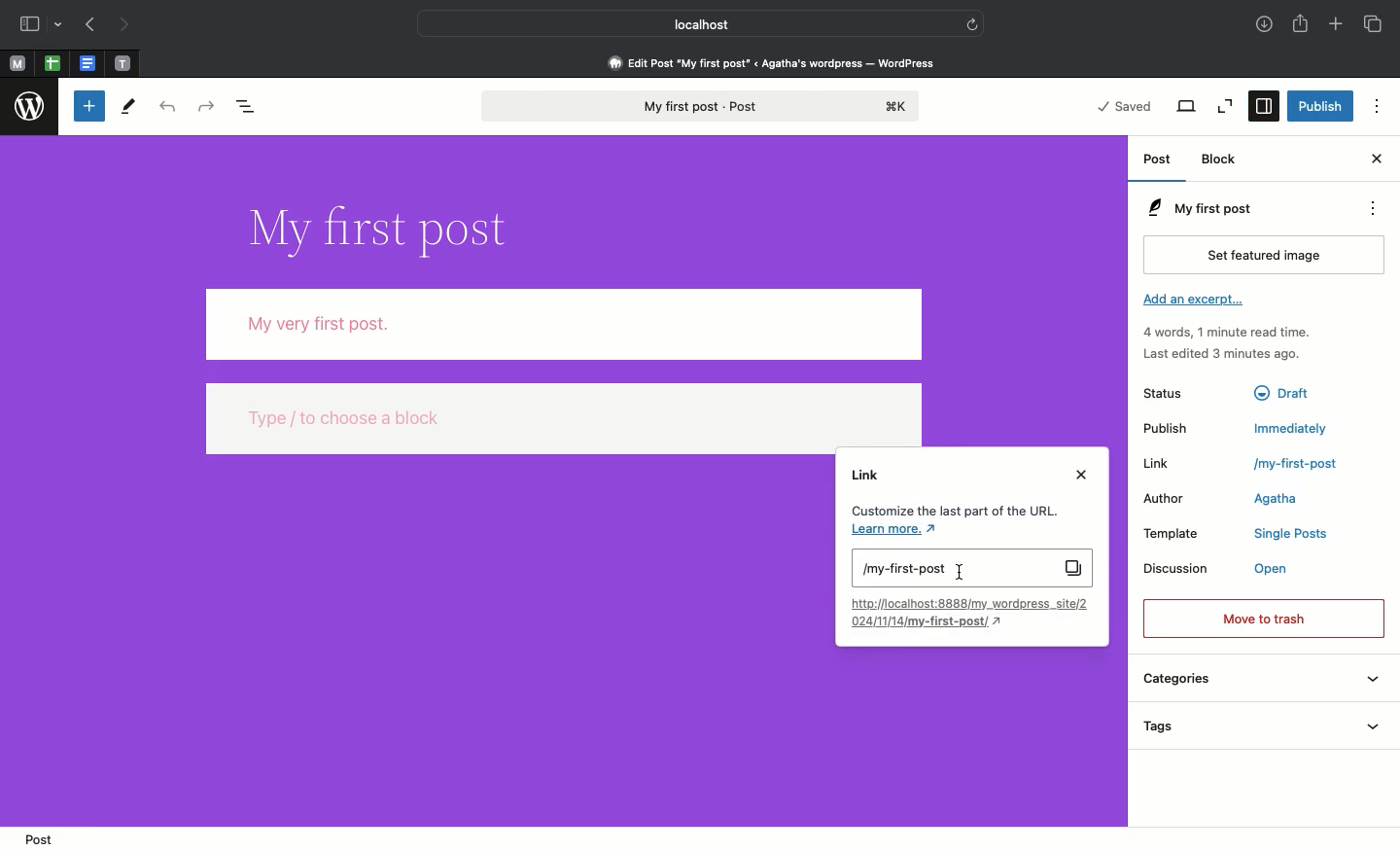  Describe the element at coordinates (1302, 25) in the screenshot. I see `Share` at that location.